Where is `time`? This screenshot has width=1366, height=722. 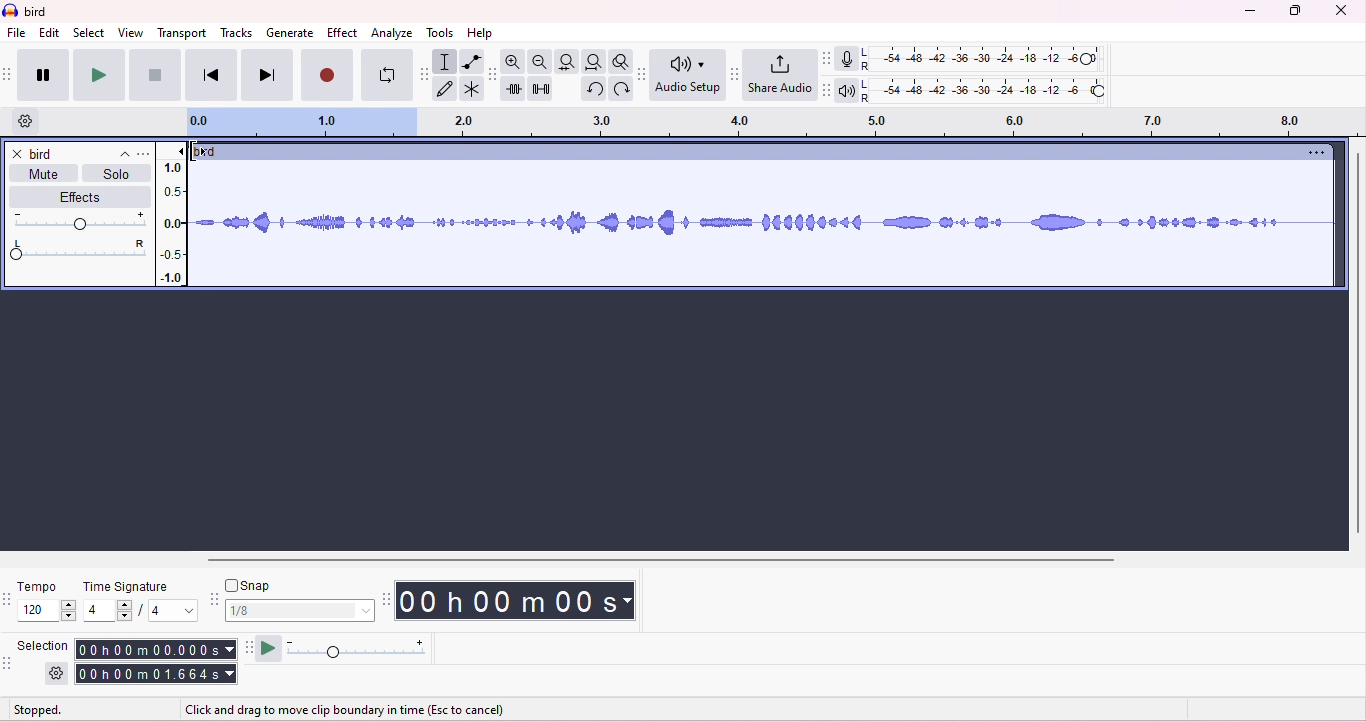
time is located at coordinates (523, 600).